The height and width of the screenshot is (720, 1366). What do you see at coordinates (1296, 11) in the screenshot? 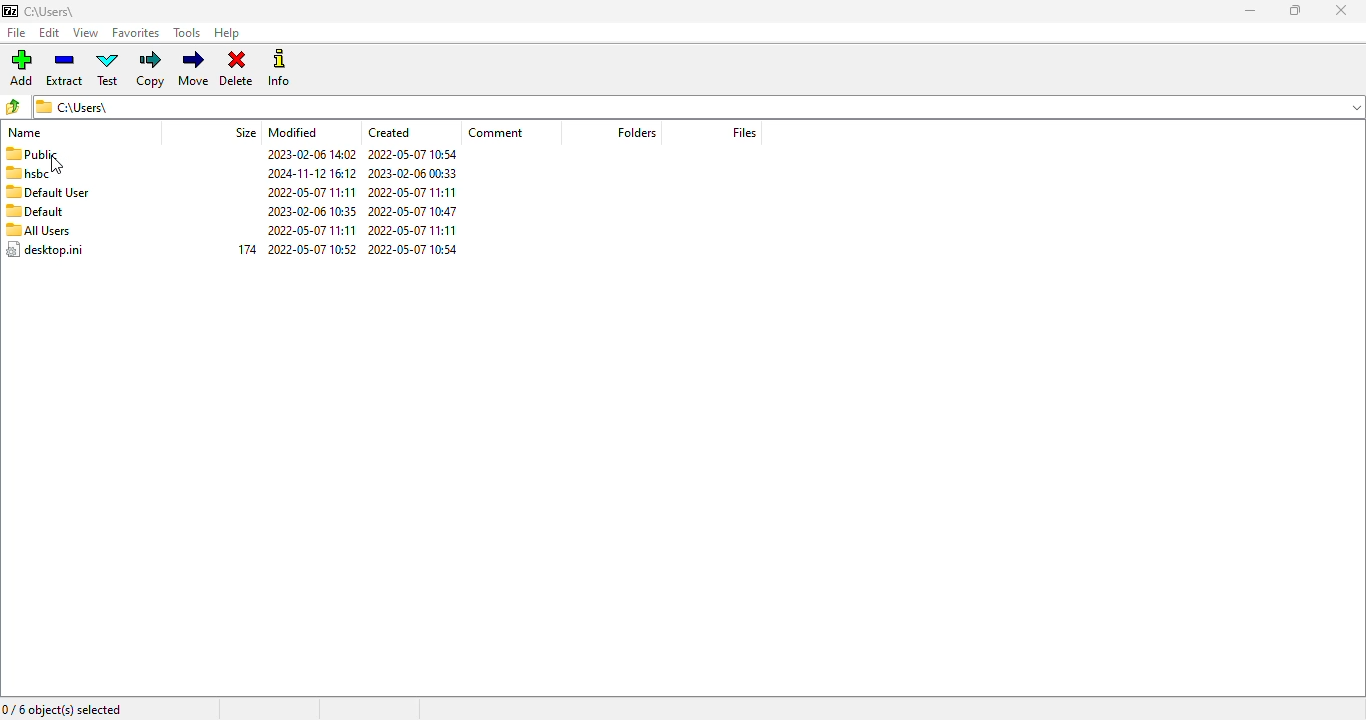
I see `maximize` at bounding box center [1296, 11].